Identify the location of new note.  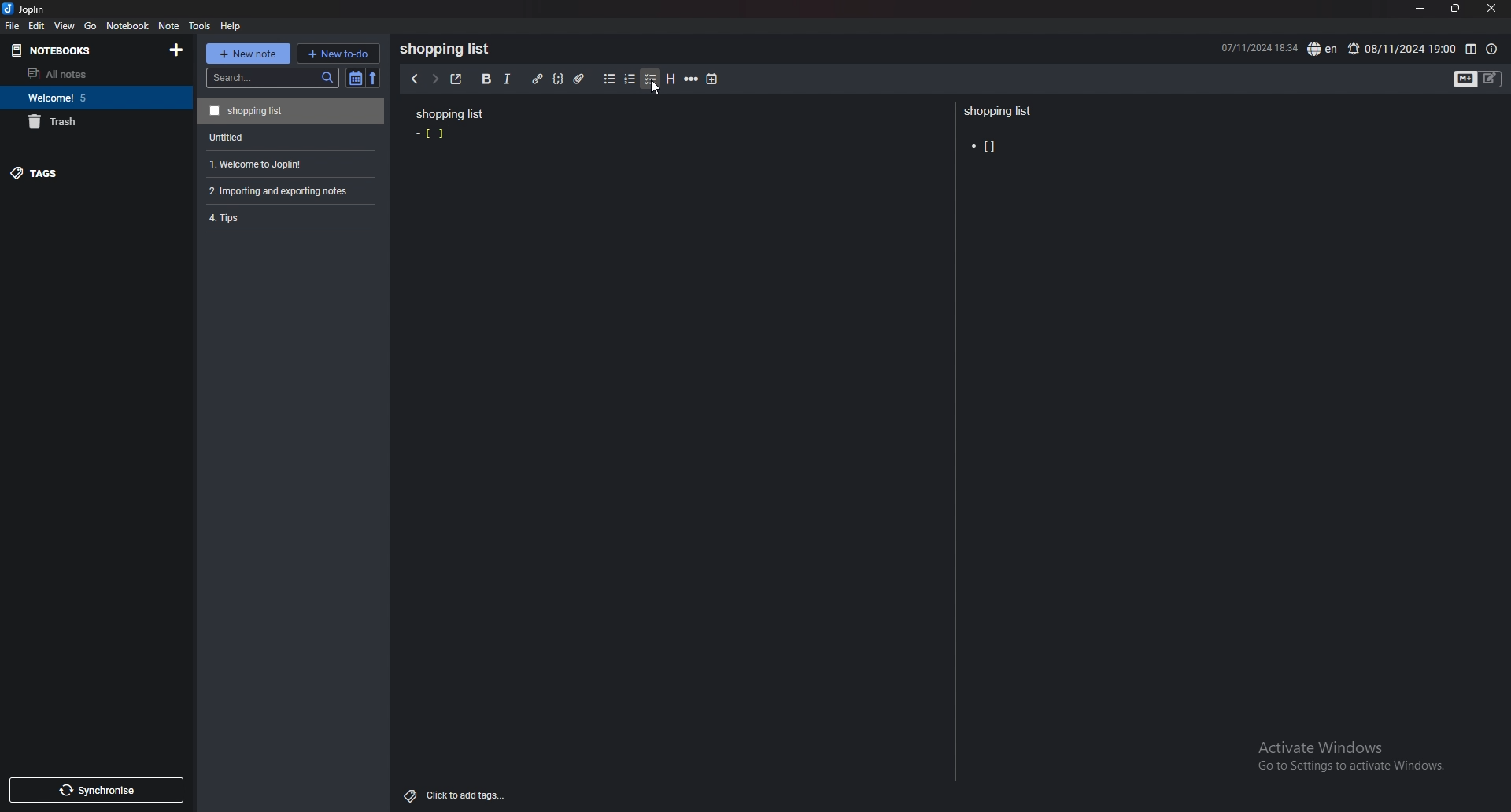
(247, 54).